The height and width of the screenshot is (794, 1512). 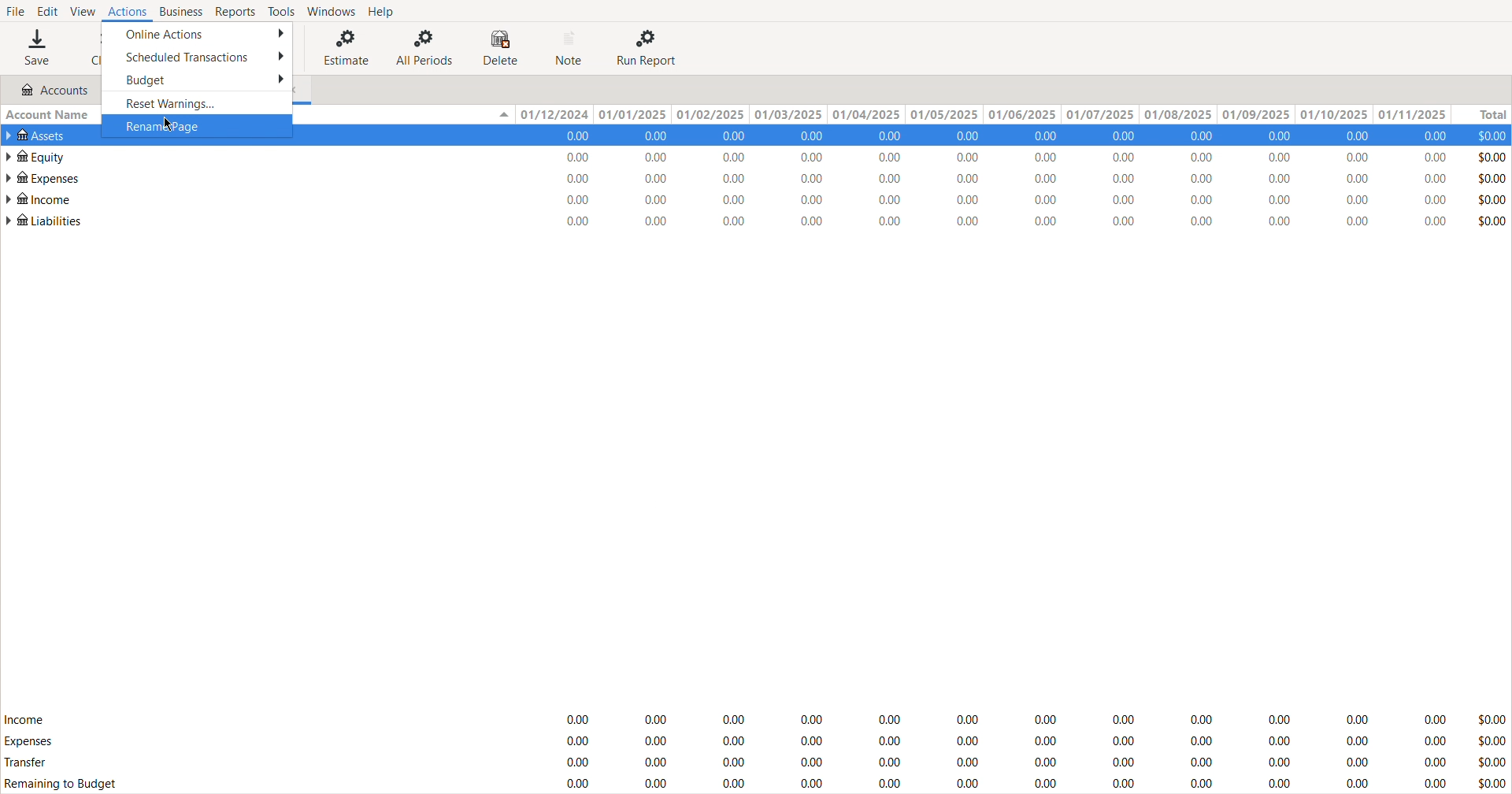 I want to click on Expenses, so click(x=28, y=740).